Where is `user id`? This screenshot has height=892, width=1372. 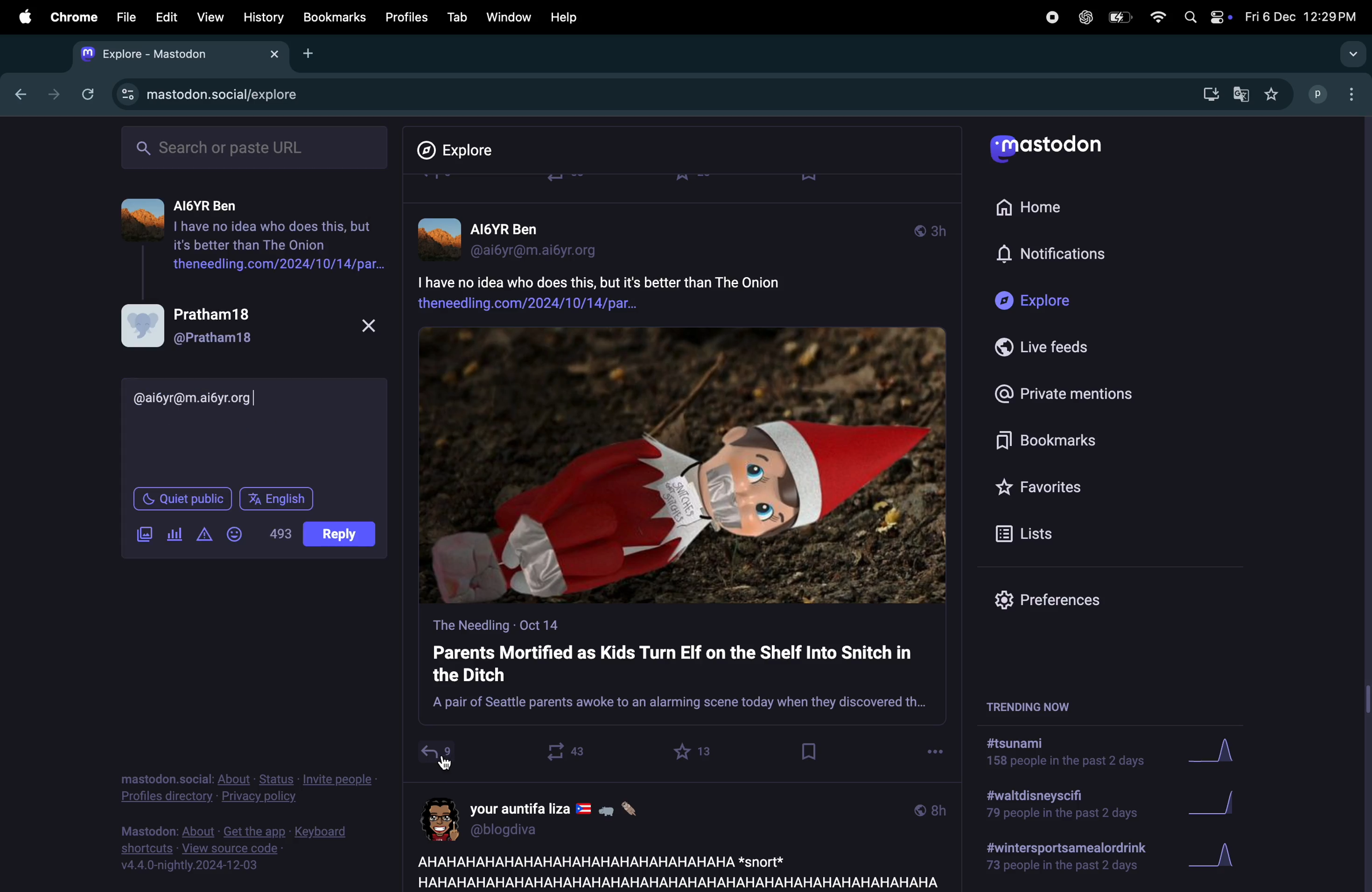 user id is located at coordinates (221, 398).